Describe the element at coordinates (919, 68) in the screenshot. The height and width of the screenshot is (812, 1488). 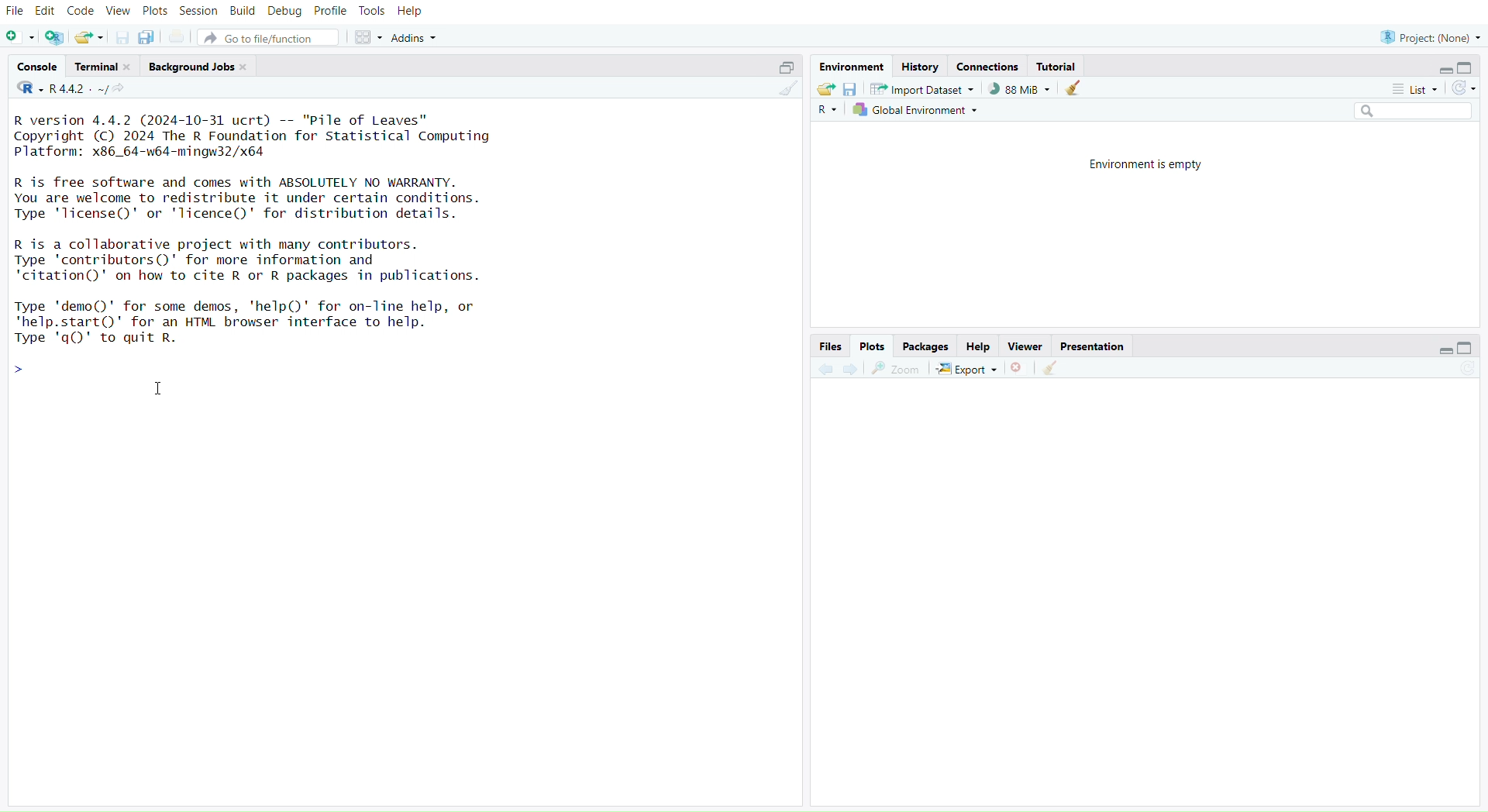
I see `history` at that location.